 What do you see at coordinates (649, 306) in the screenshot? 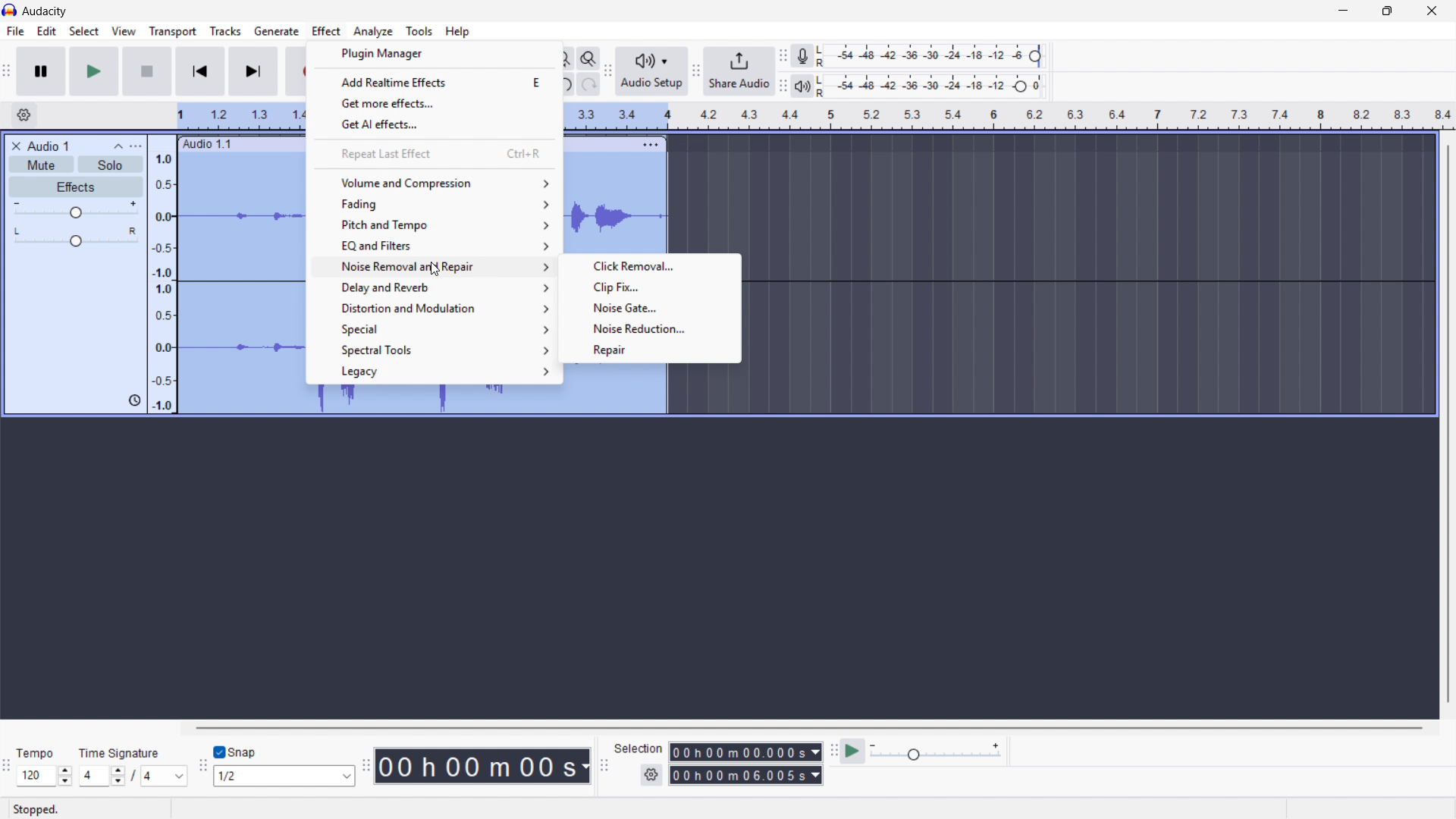
I see `Noise gate` at bounding box center [649, 306].